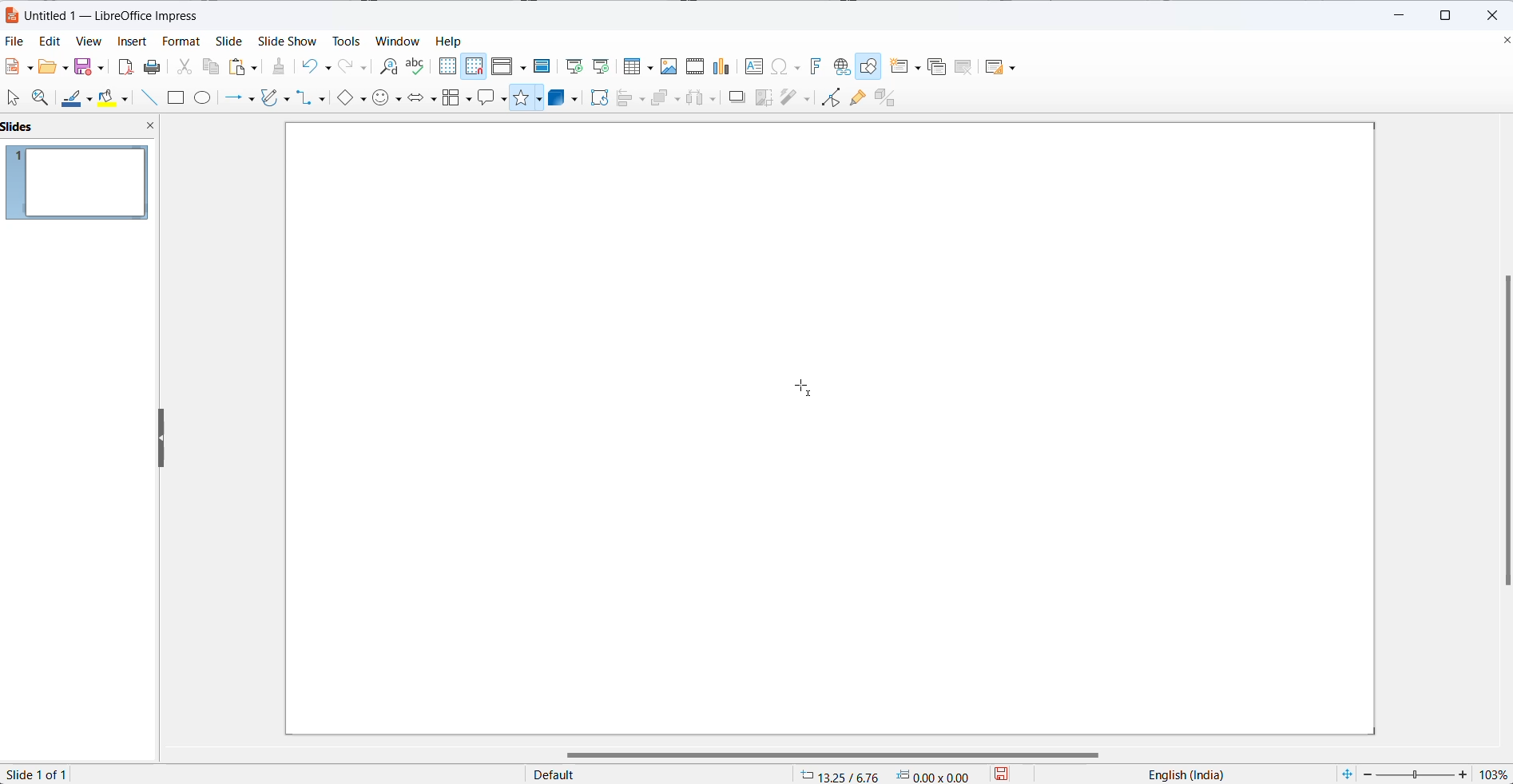 Image resolution: width=1513 pixels, height=784 pixels. What do you see at coordinates (421, 97) in the screenshot?
I see `block arrows` at bounding box center [421, 97].